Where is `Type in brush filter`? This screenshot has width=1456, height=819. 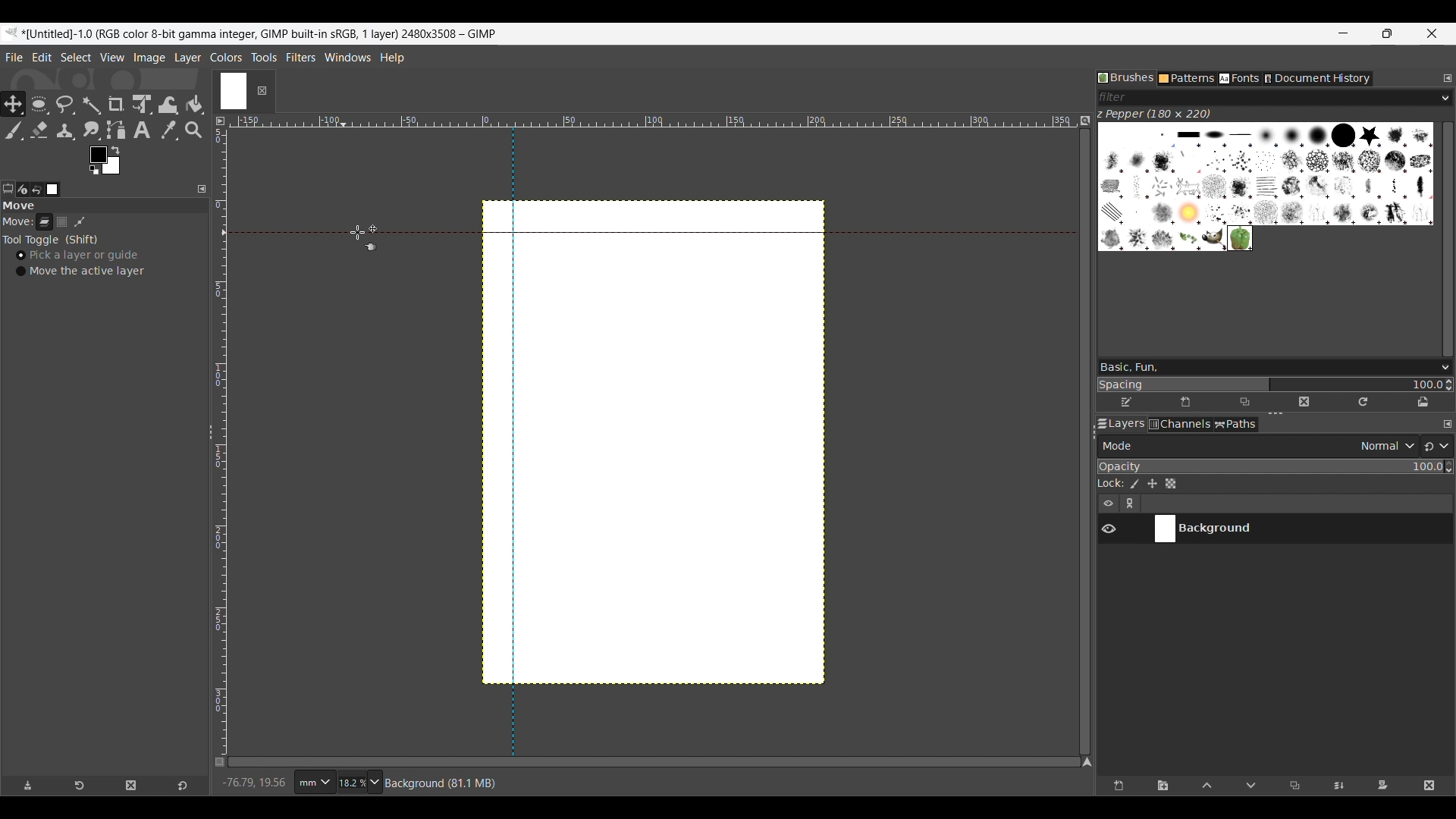 Type in brush filter is located at coordinates (1267, 98).